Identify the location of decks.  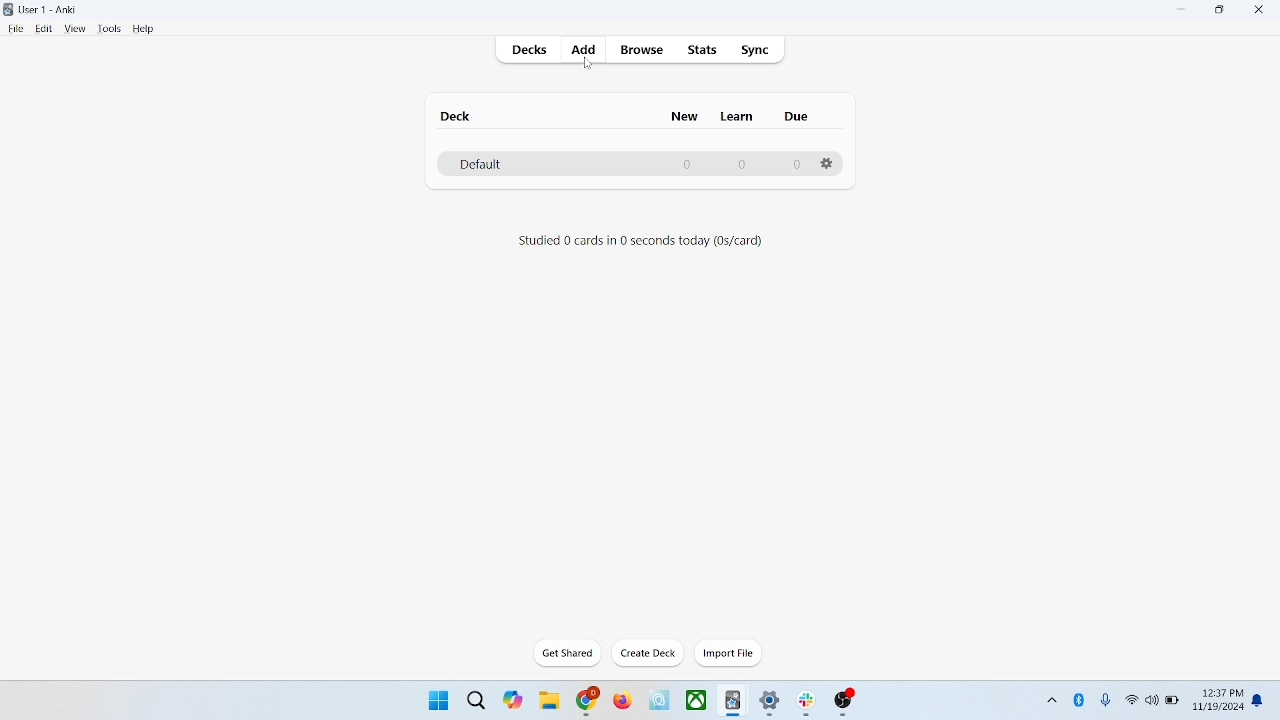
(532, 52).